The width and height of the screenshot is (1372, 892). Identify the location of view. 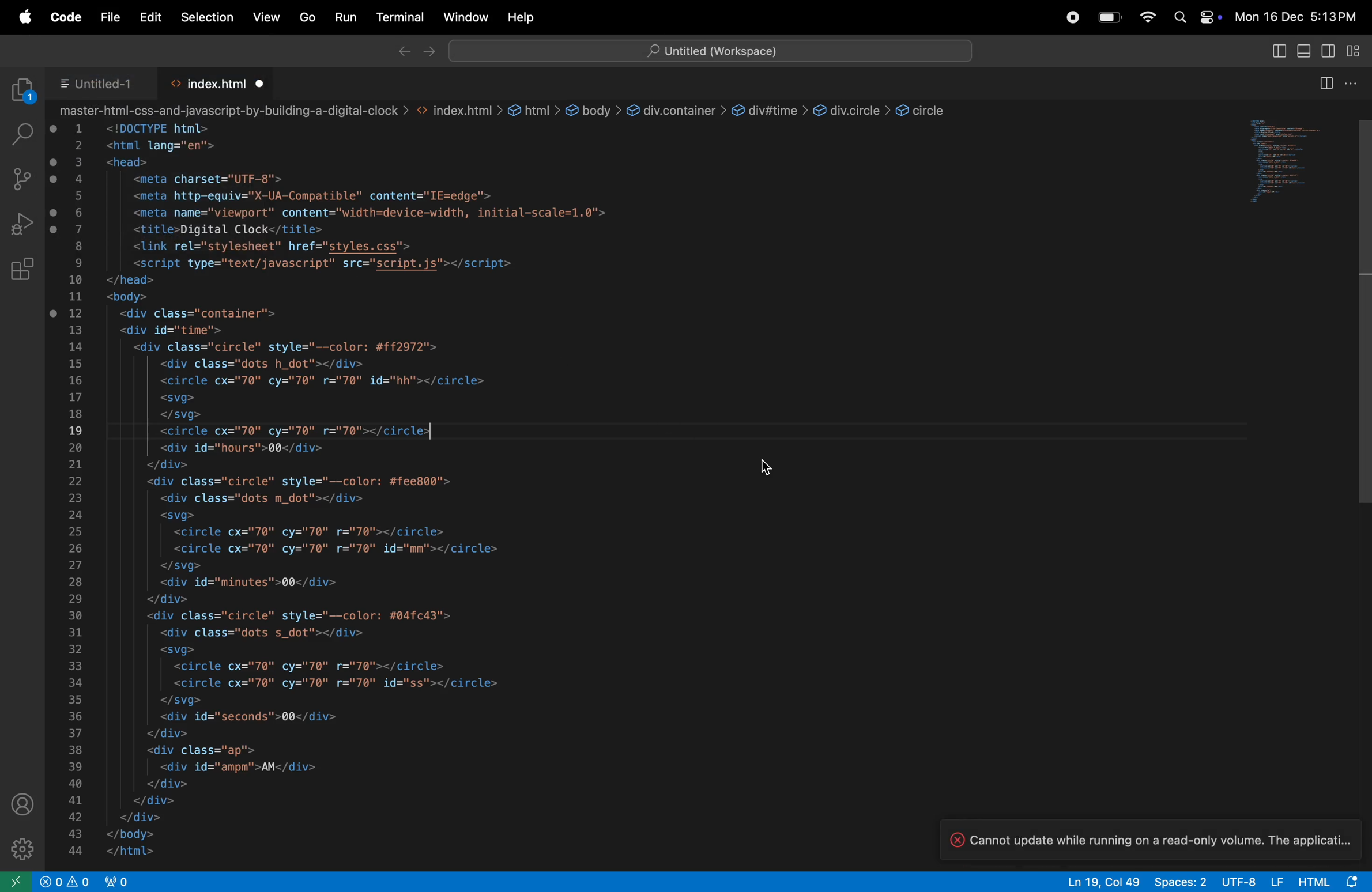
(268, 17).